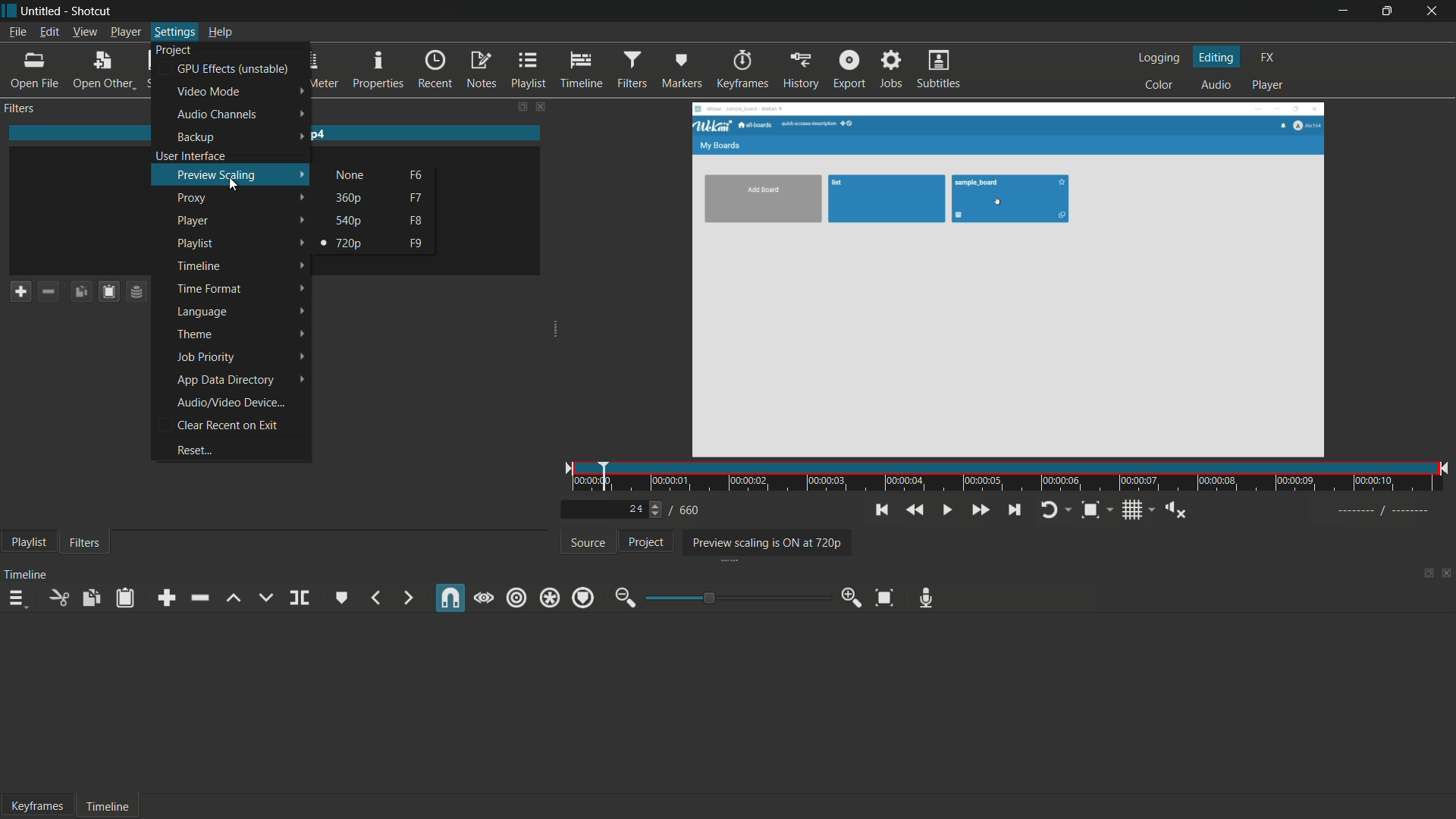 The image size is (1456, 819). Describe the element at coordinates (235, 187) in the screenshot. I see `cursor` at that location.